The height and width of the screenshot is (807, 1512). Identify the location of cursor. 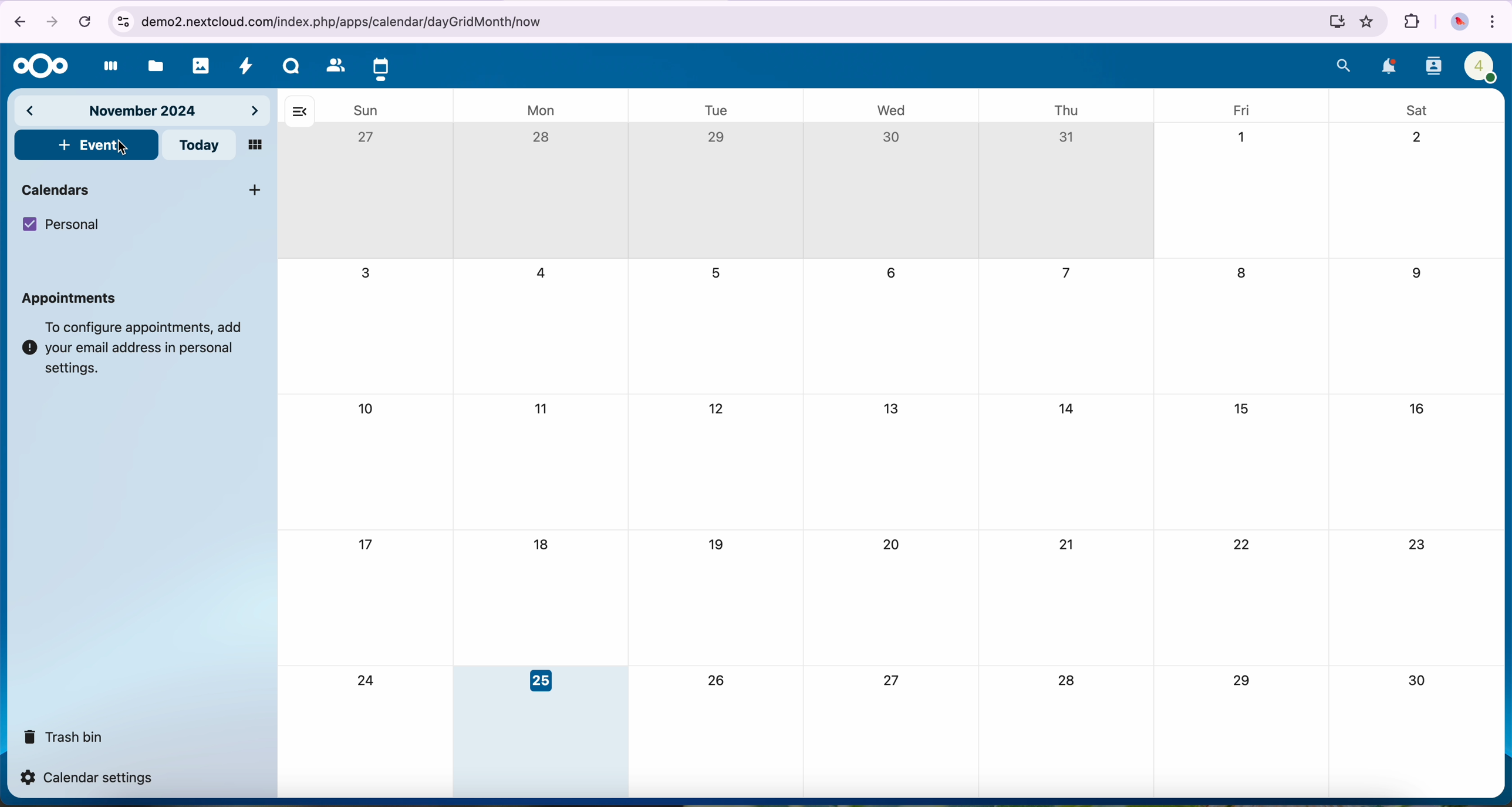
(123, 150).